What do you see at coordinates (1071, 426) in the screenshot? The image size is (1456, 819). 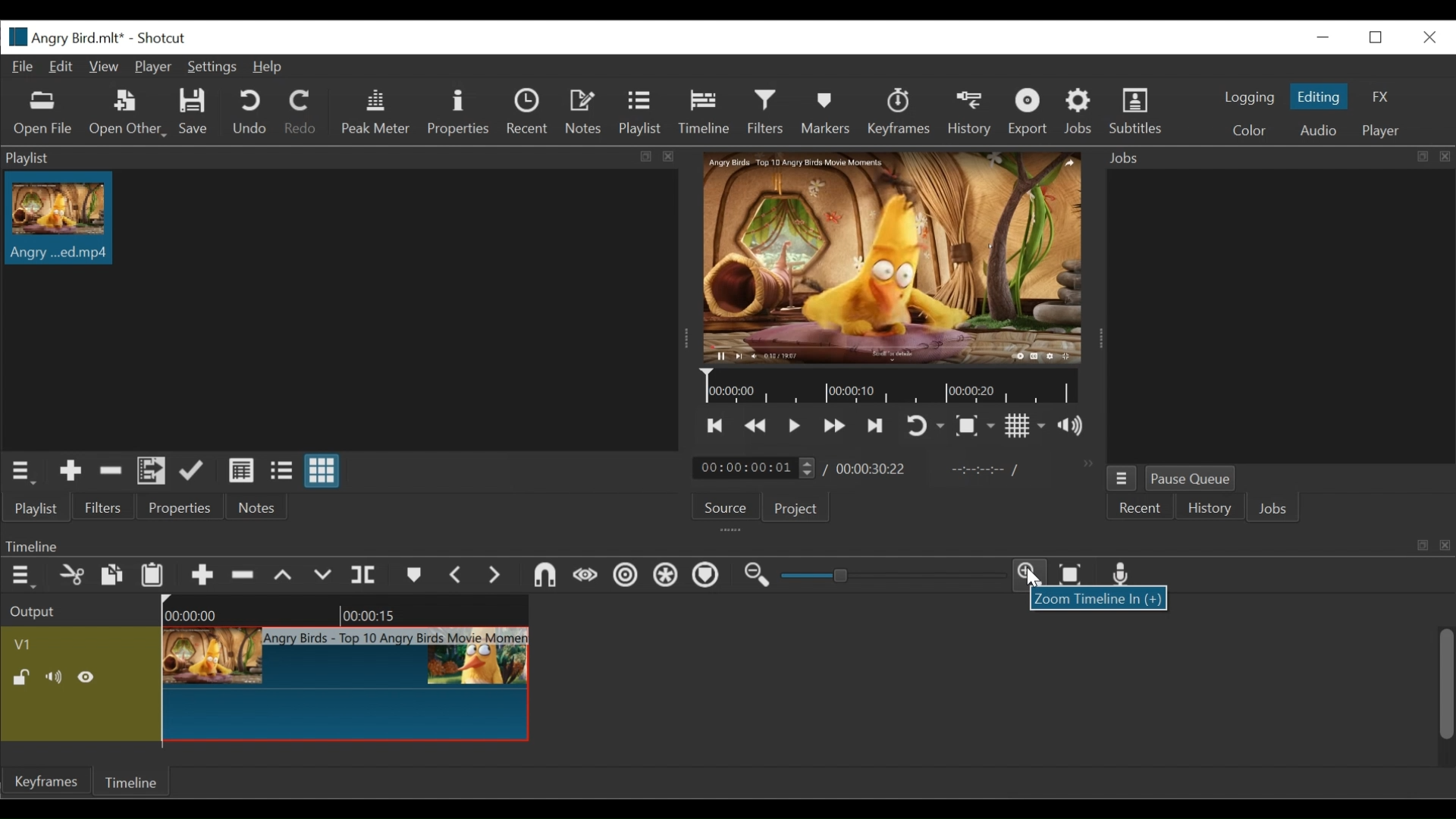 I see `Show volume control` at bounding box center [1071, 426].